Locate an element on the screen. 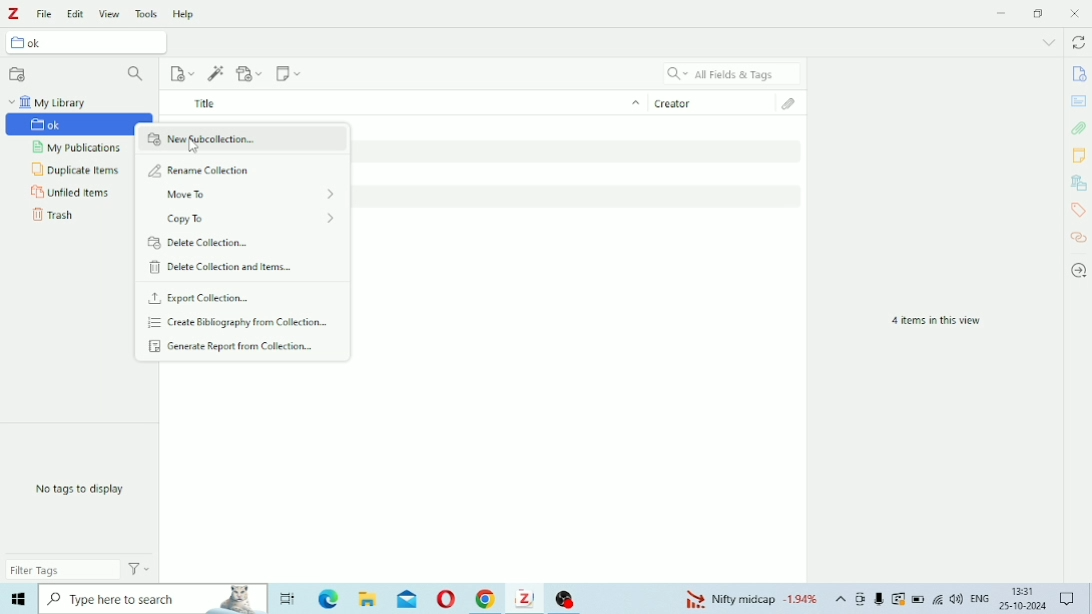  Libraries and Collections is located at coordinates (1077, 183).